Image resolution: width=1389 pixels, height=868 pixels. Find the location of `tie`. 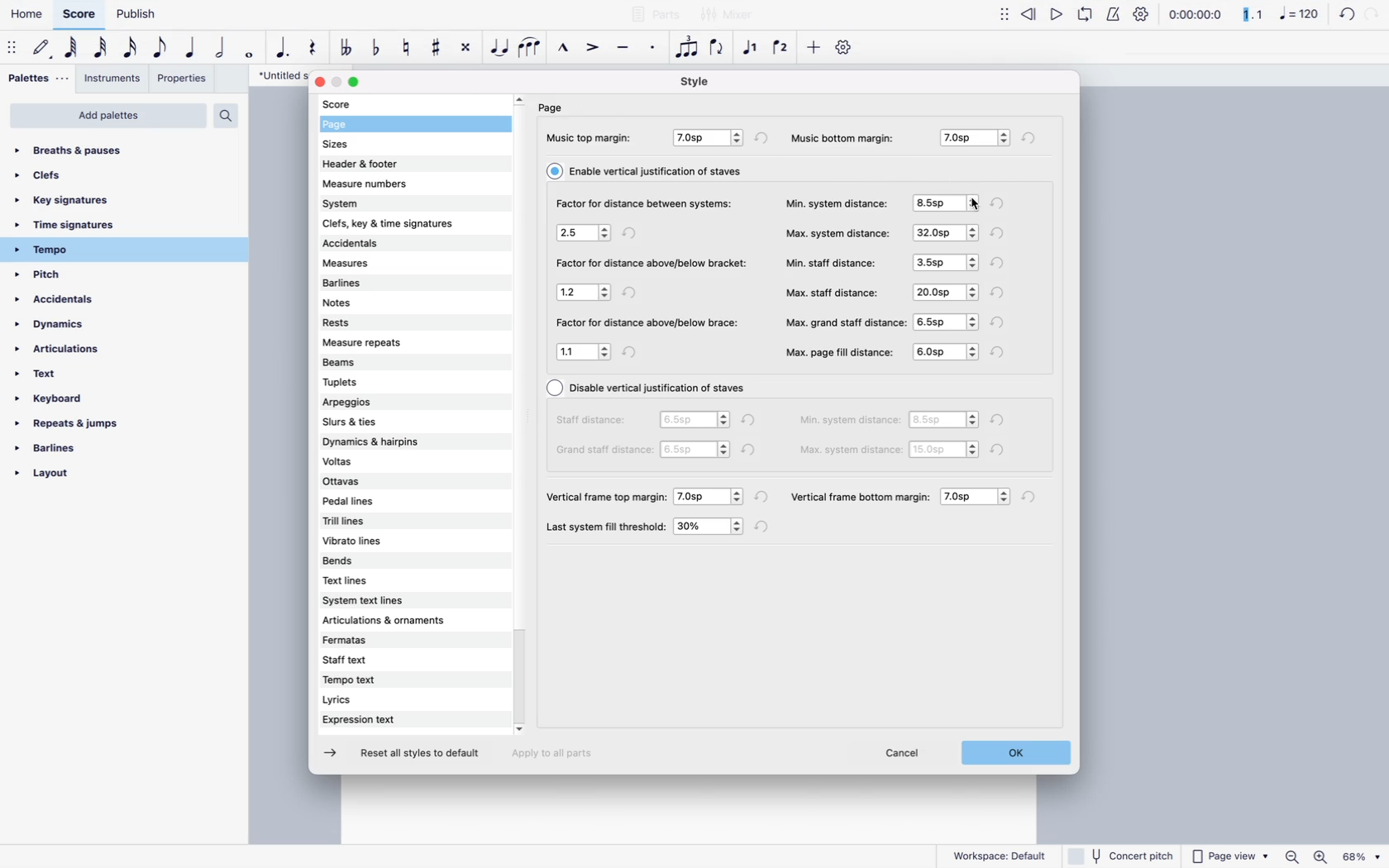

tie is located at coordinates (500, 50).